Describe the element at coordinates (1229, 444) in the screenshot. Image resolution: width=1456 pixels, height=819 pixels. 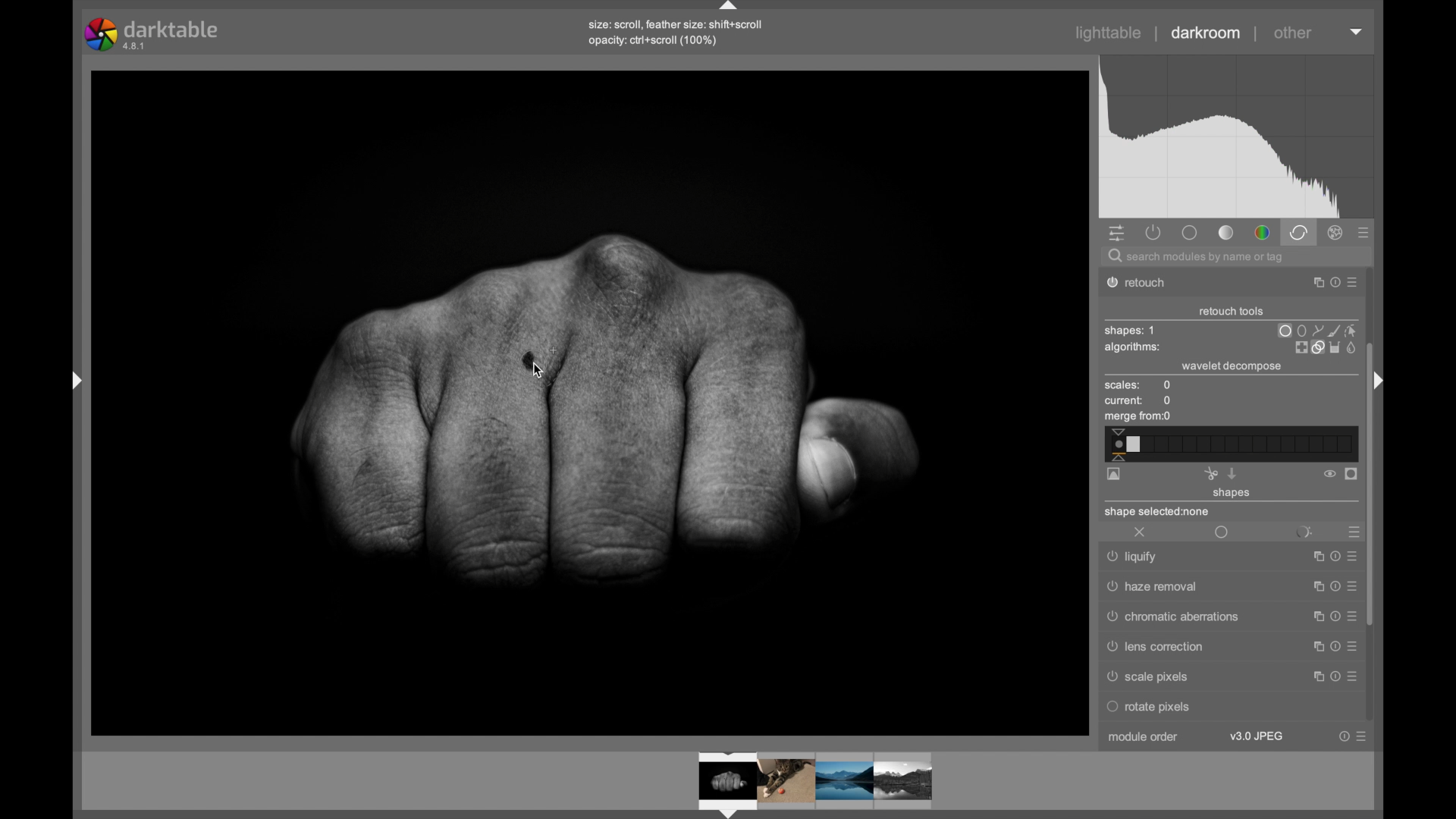
I see `merge slider` at that location.